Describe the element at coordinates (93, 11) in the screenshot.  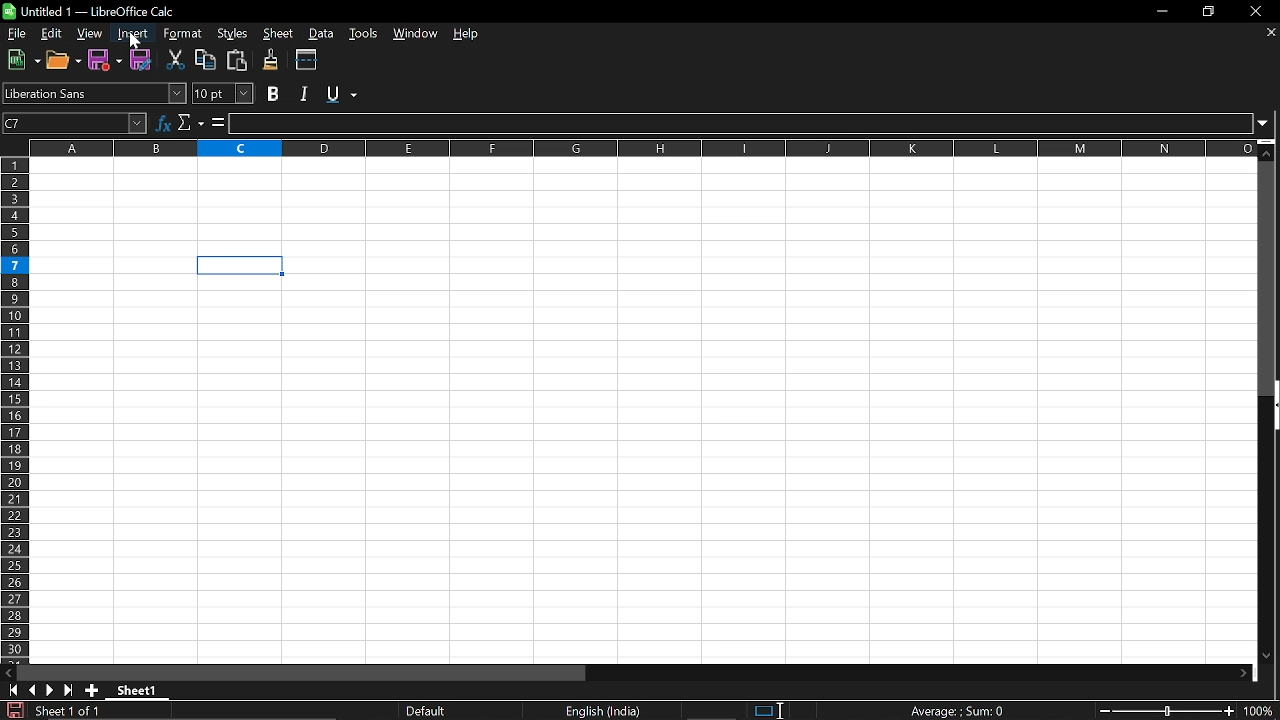
I see `Current window` at that location.